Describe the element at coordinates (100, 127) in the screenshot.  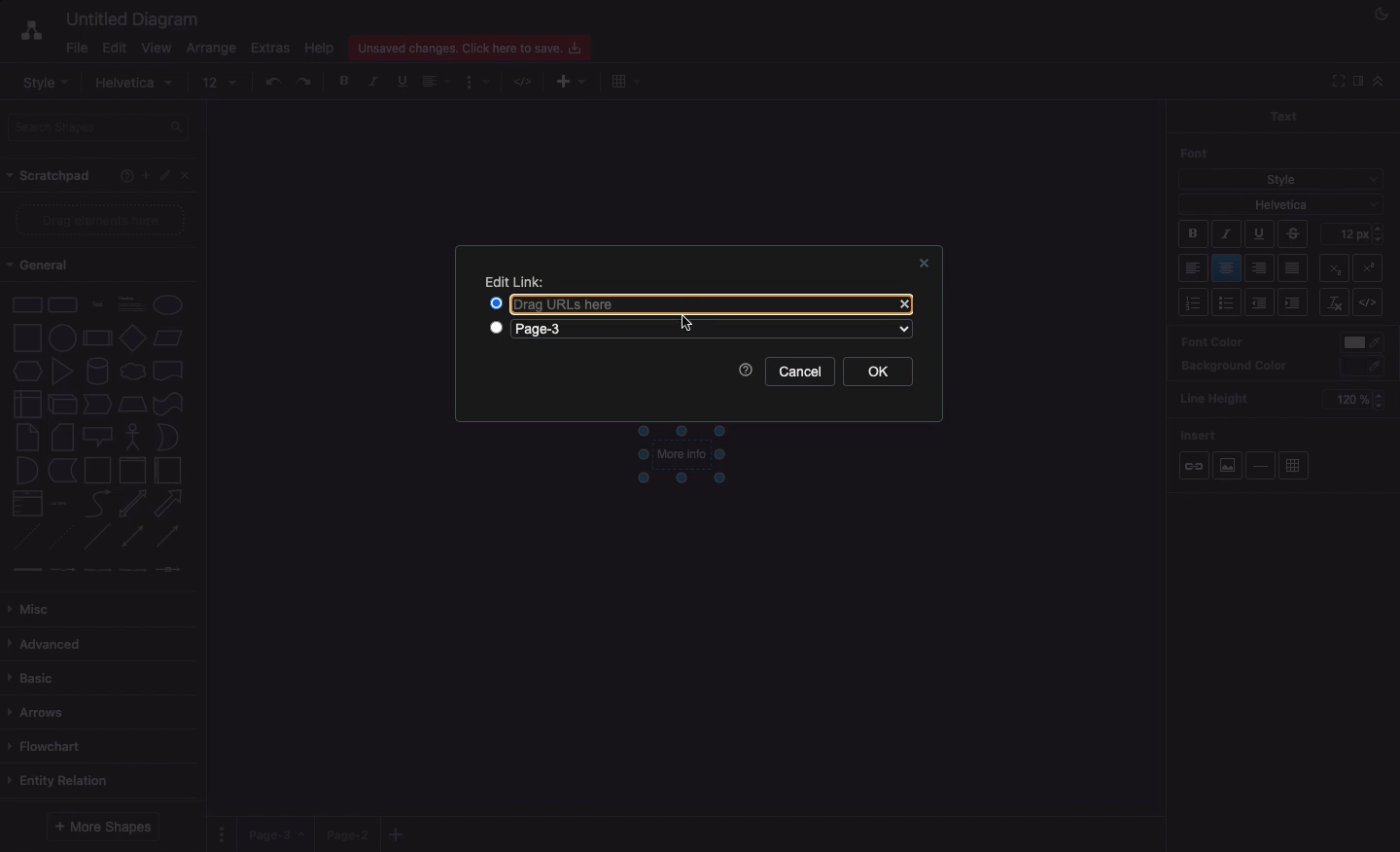
I see `Search shapes` at that location.